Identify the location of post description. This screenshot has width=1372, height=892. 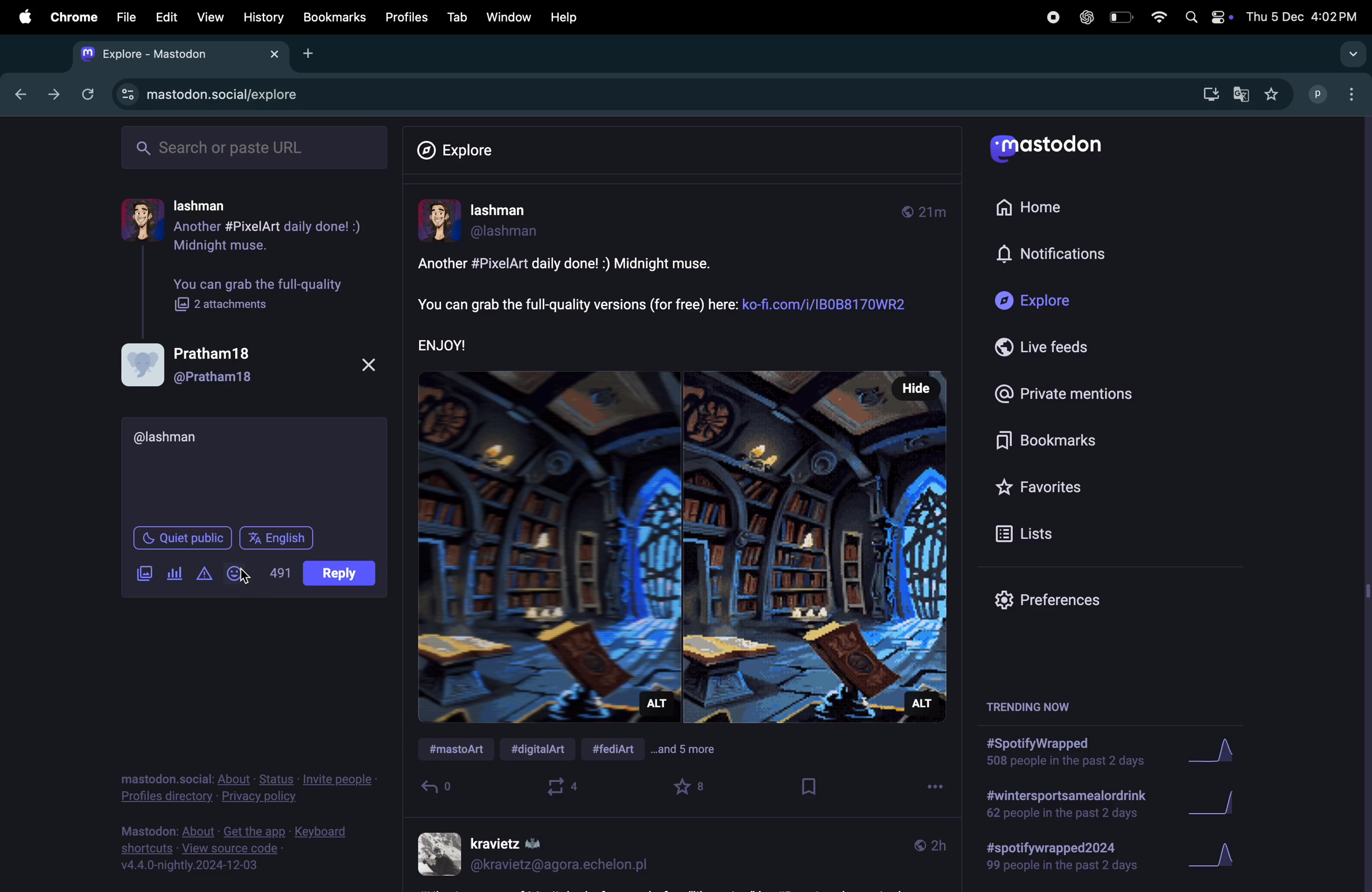
(669, 304).